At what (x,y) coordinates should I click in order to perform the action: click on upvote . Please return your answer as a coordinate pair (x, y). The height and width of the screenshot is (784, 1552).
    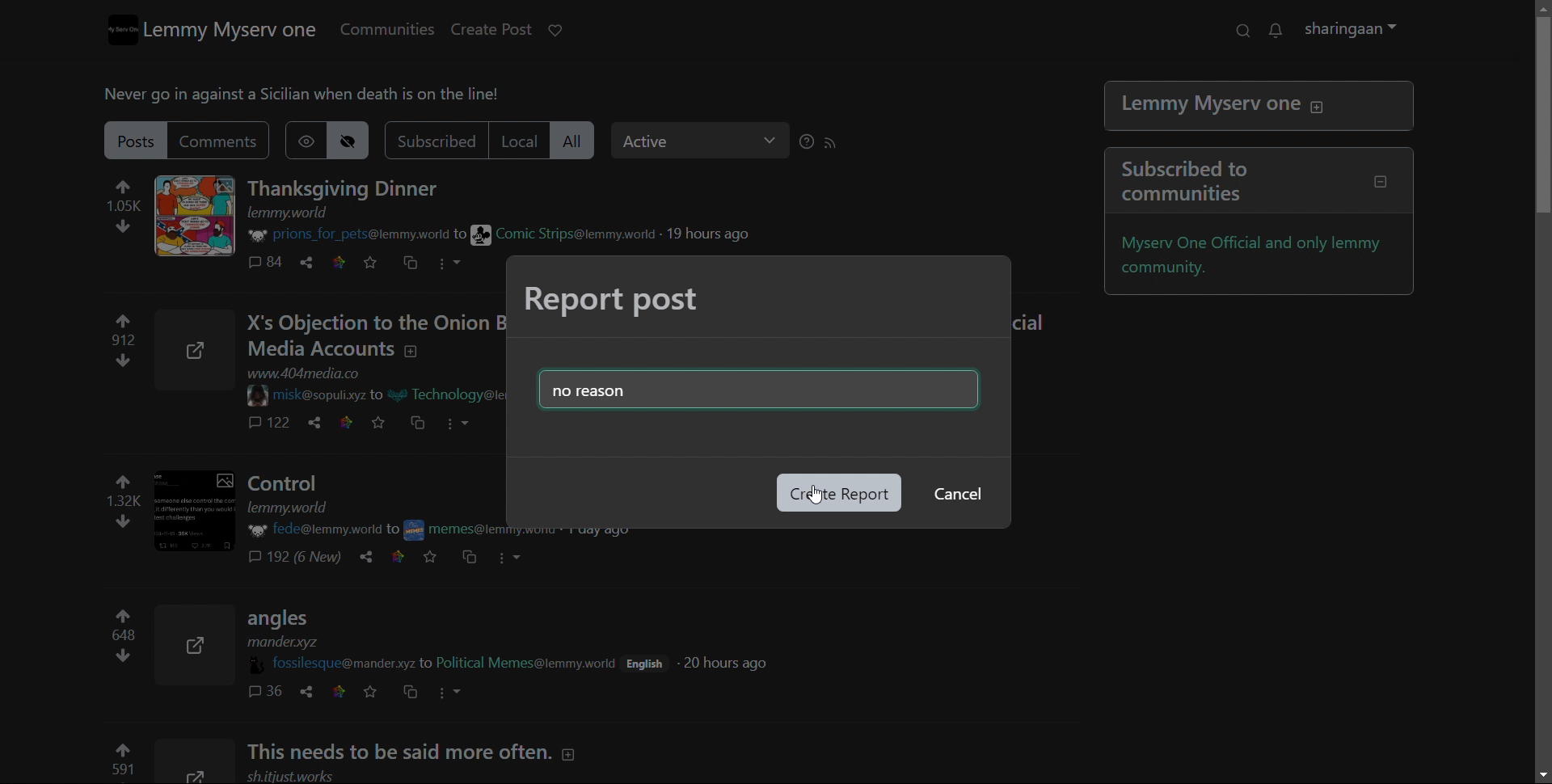
    Looking at the image, I should click on (120, 761).